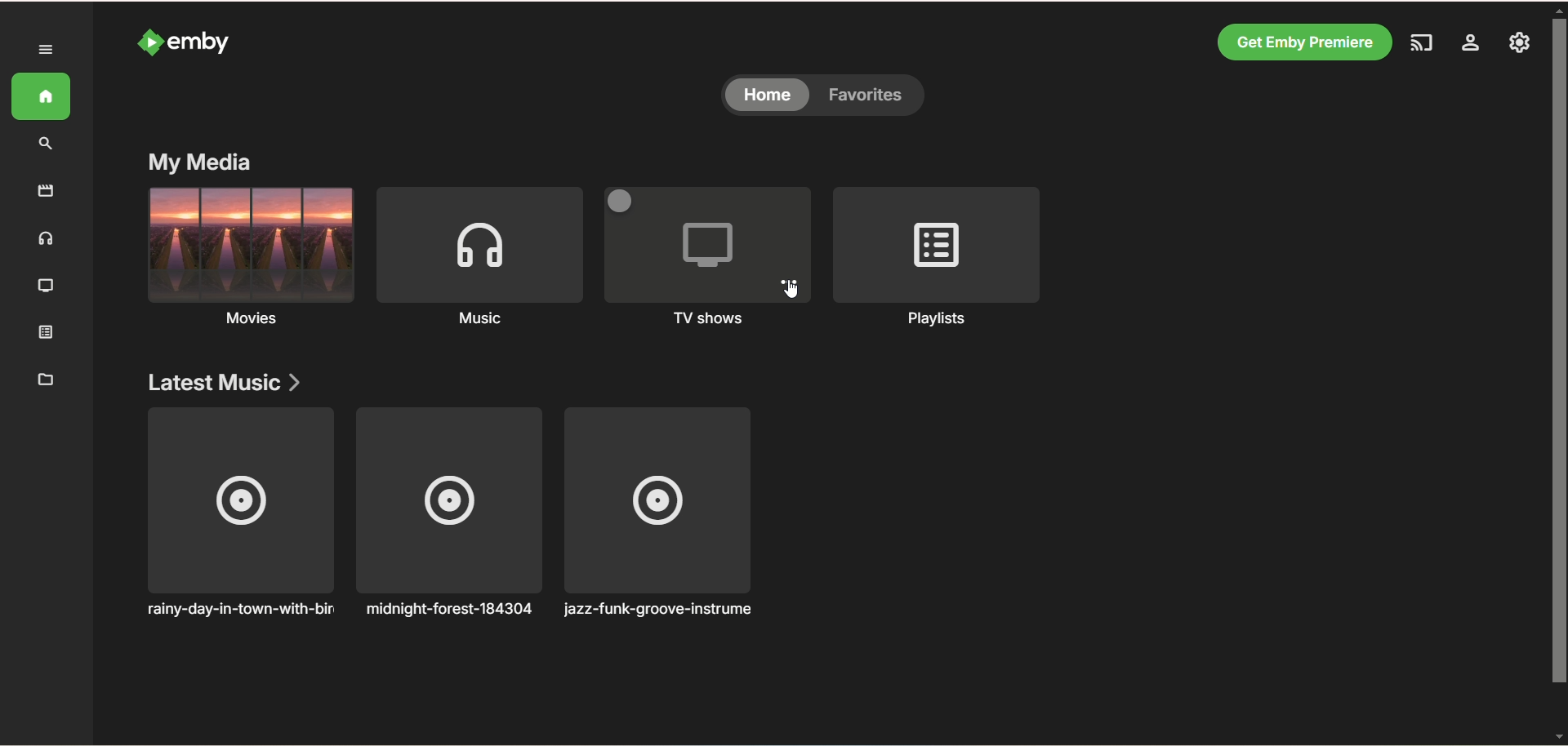 This screenshot has width=1568, height=746. Describe the element at coordinates (1558, 371) in the screenshot. I see `vertical scroll bar` at that location.